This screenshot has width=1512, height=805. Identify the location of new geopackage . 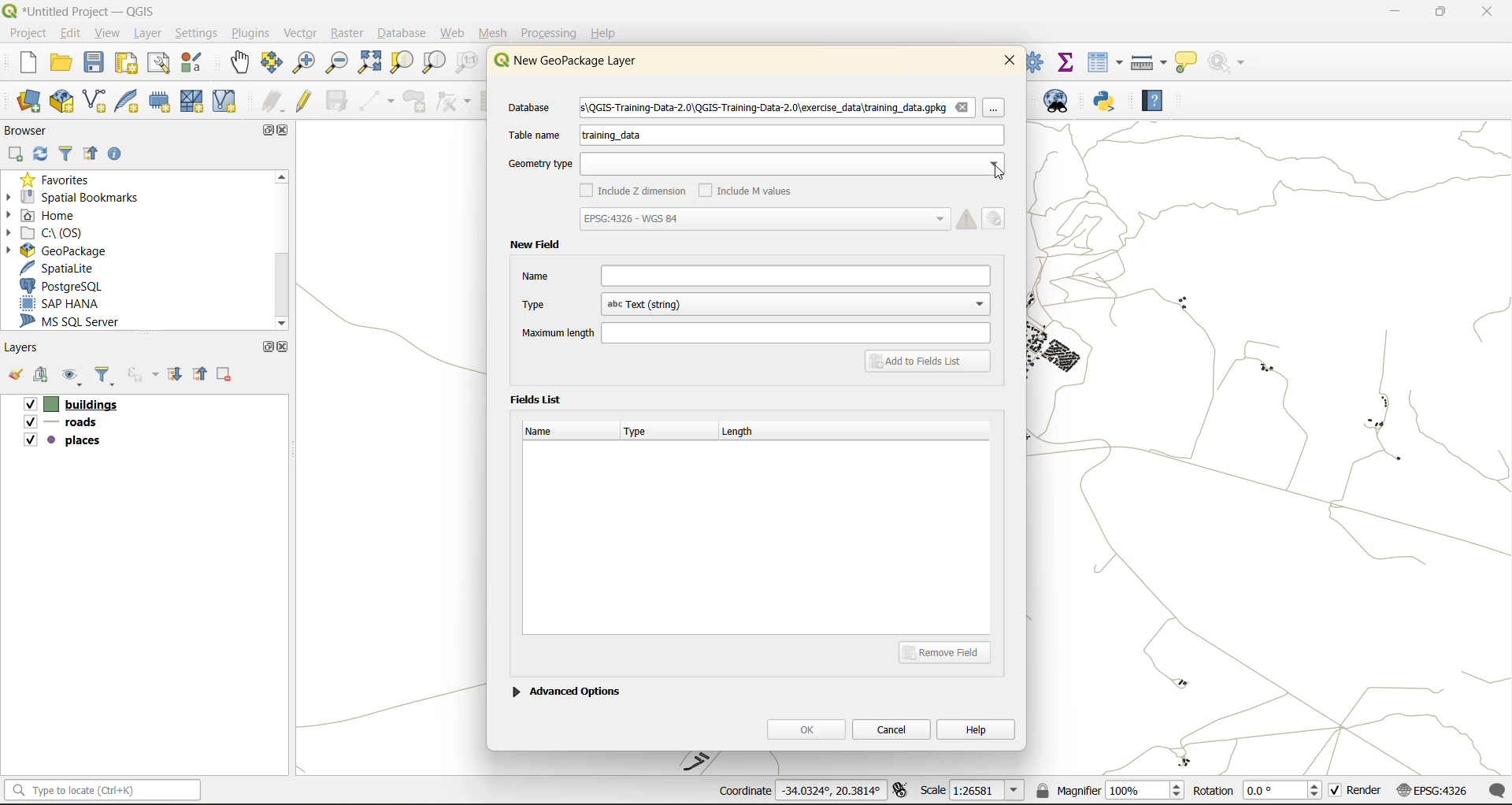
(62, 102).